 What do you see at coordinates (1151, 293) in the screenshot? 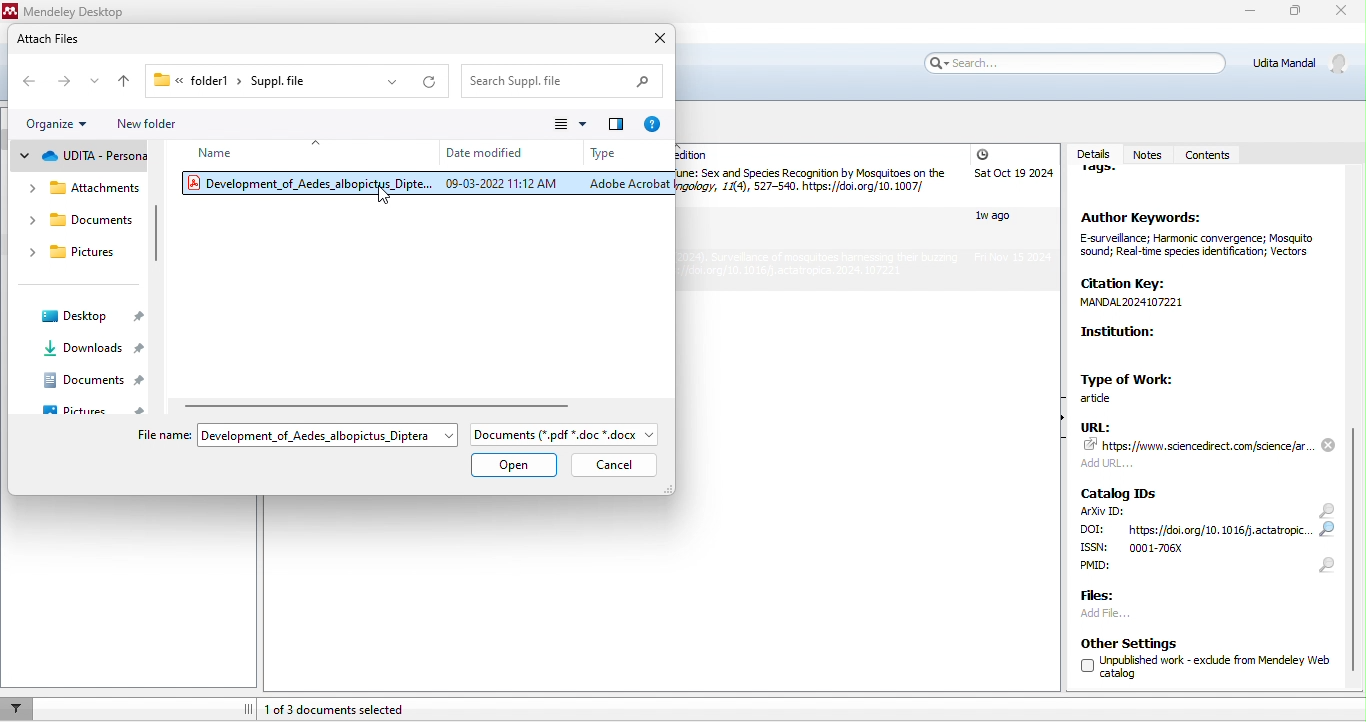
I see `Citation Key:
MANDAL2024107221` at bounding box center [1151, 293].